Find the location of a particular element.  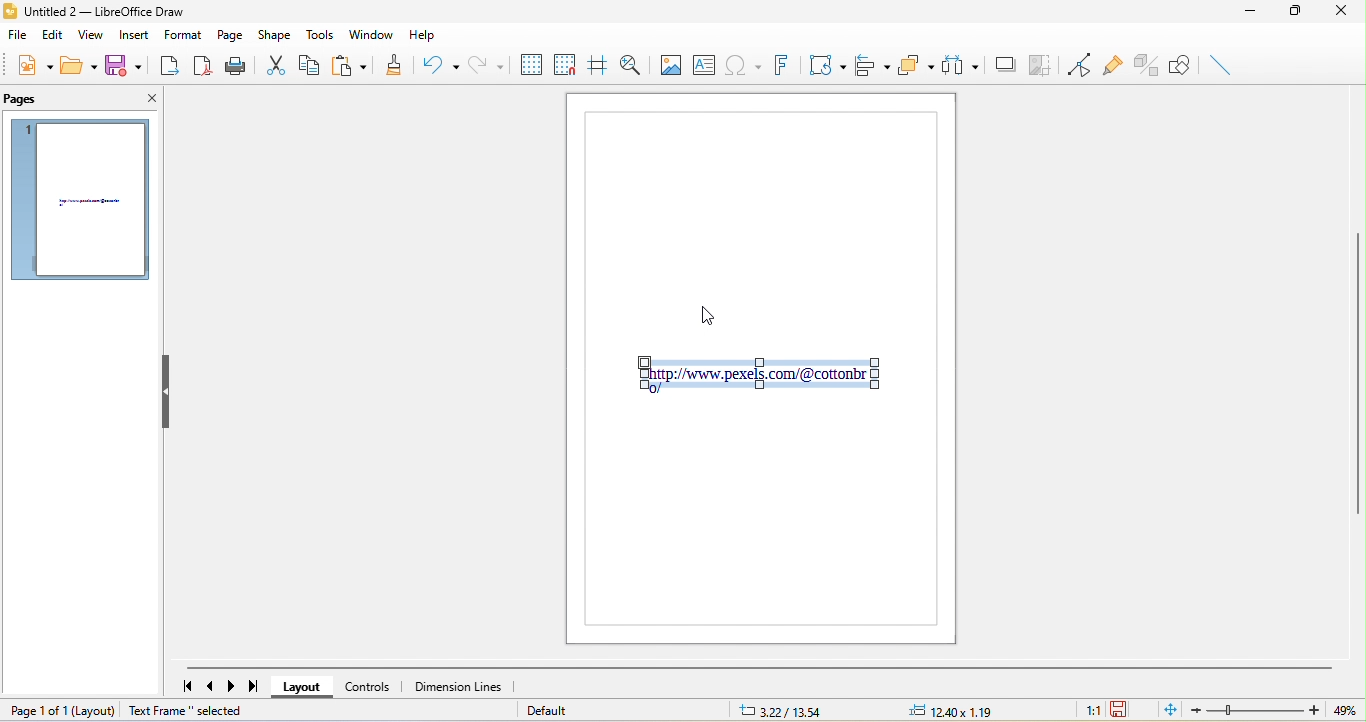

select at least three object to distribute is located at coordinates (963, 63).